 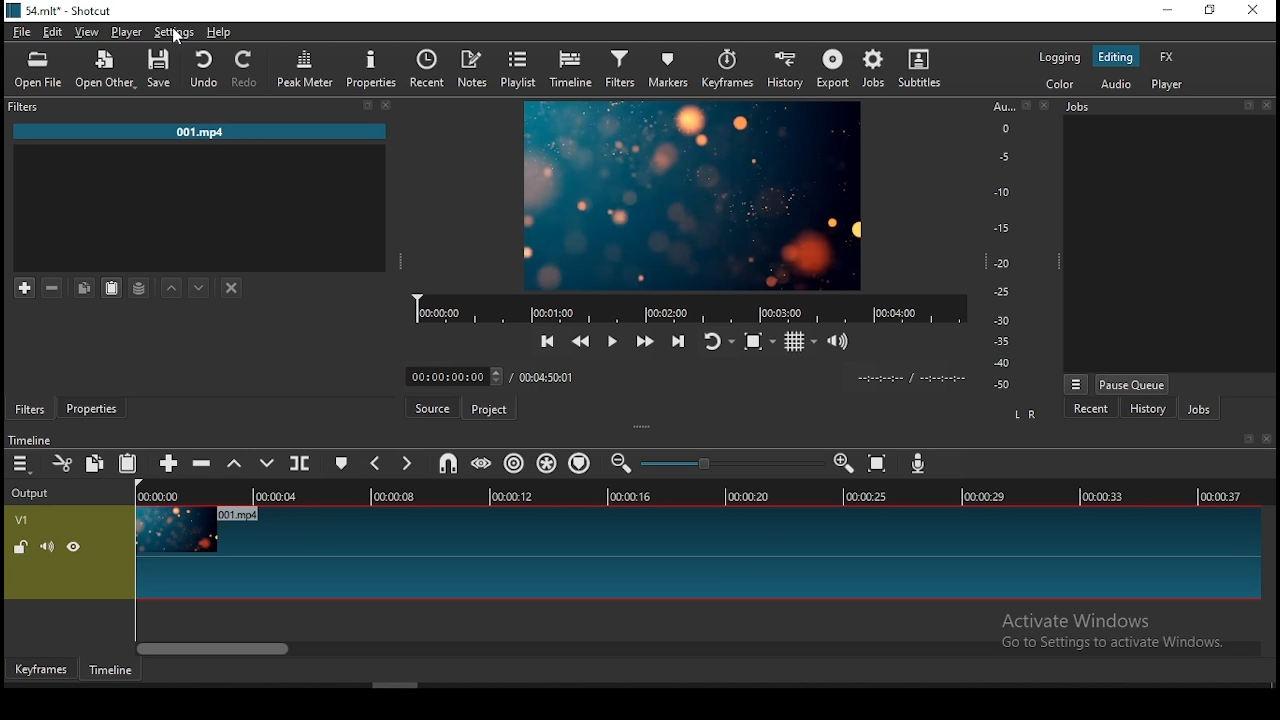 What do you see at coordinates (919, 68) in the screenshot?
I see `subtitles` at bounding box center [919, 68].